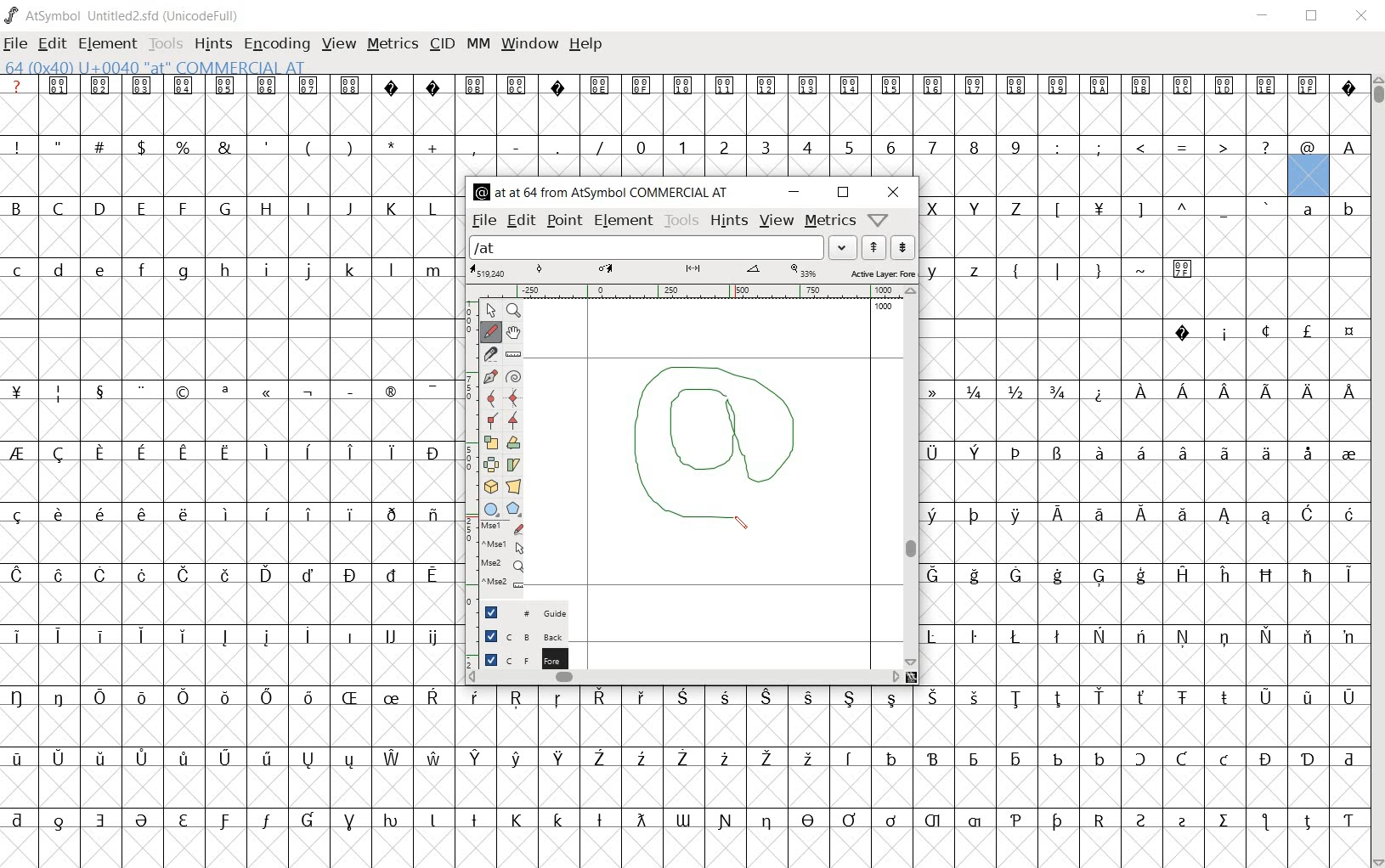  What do you see at coordinates (1267, 20) in the screenshot?
I see `MINIMIZE` at bounding box center [1267, 20].